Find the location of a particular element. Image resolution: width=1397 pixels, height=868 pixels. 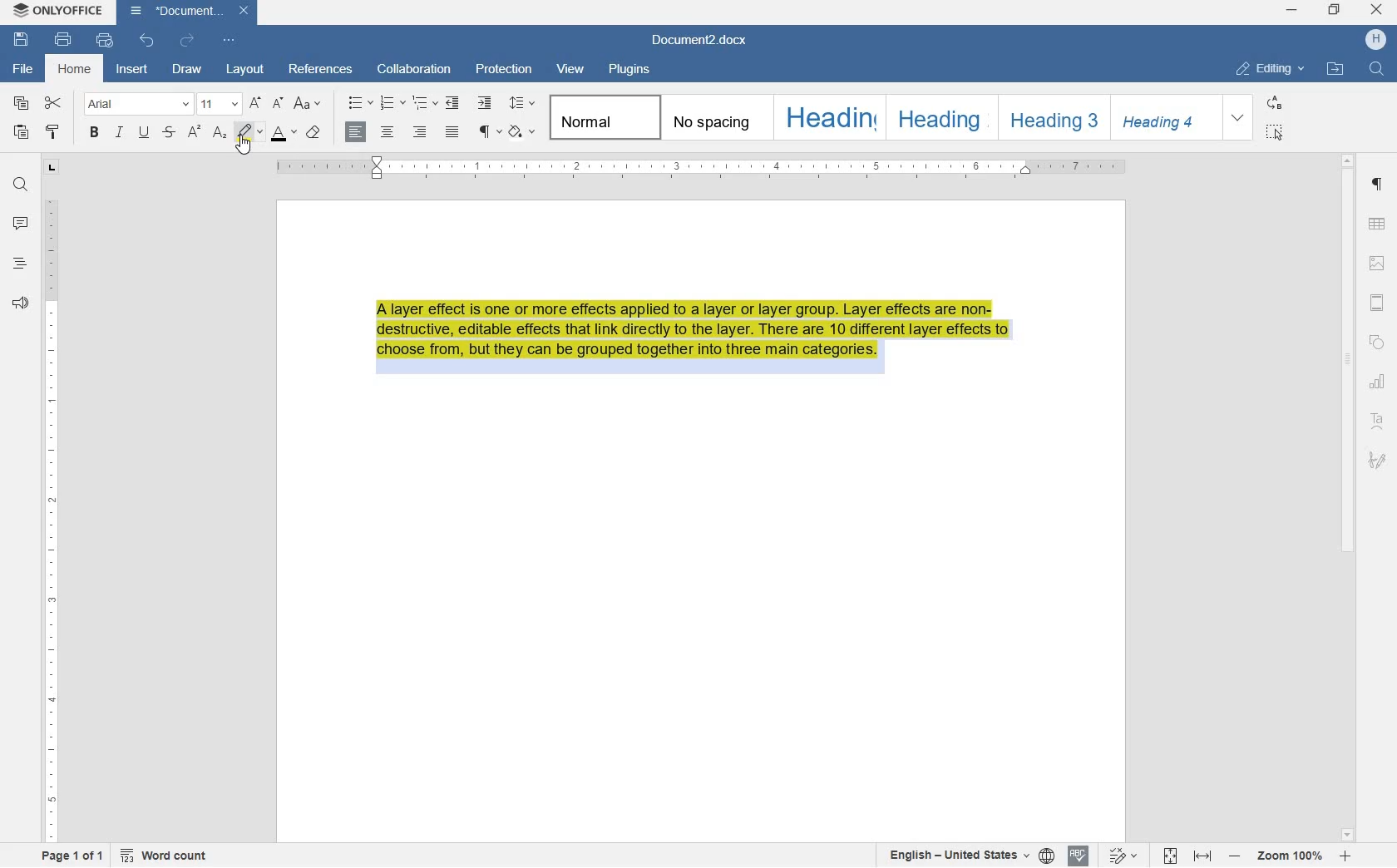

FIT TO PAGE OR WIDTH is located at coordinates (1189, 857).